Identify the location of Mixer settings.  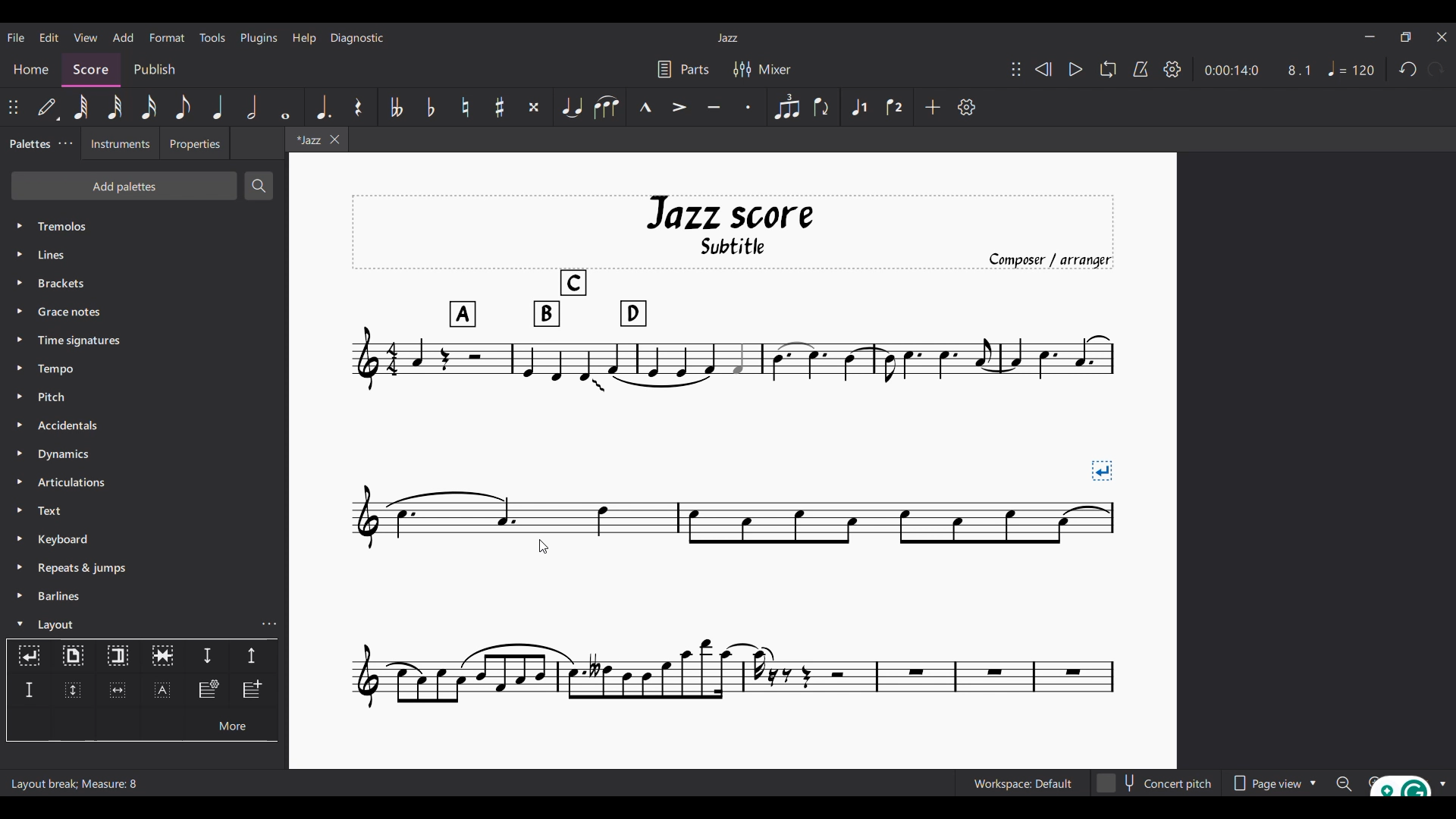
(762, 70).